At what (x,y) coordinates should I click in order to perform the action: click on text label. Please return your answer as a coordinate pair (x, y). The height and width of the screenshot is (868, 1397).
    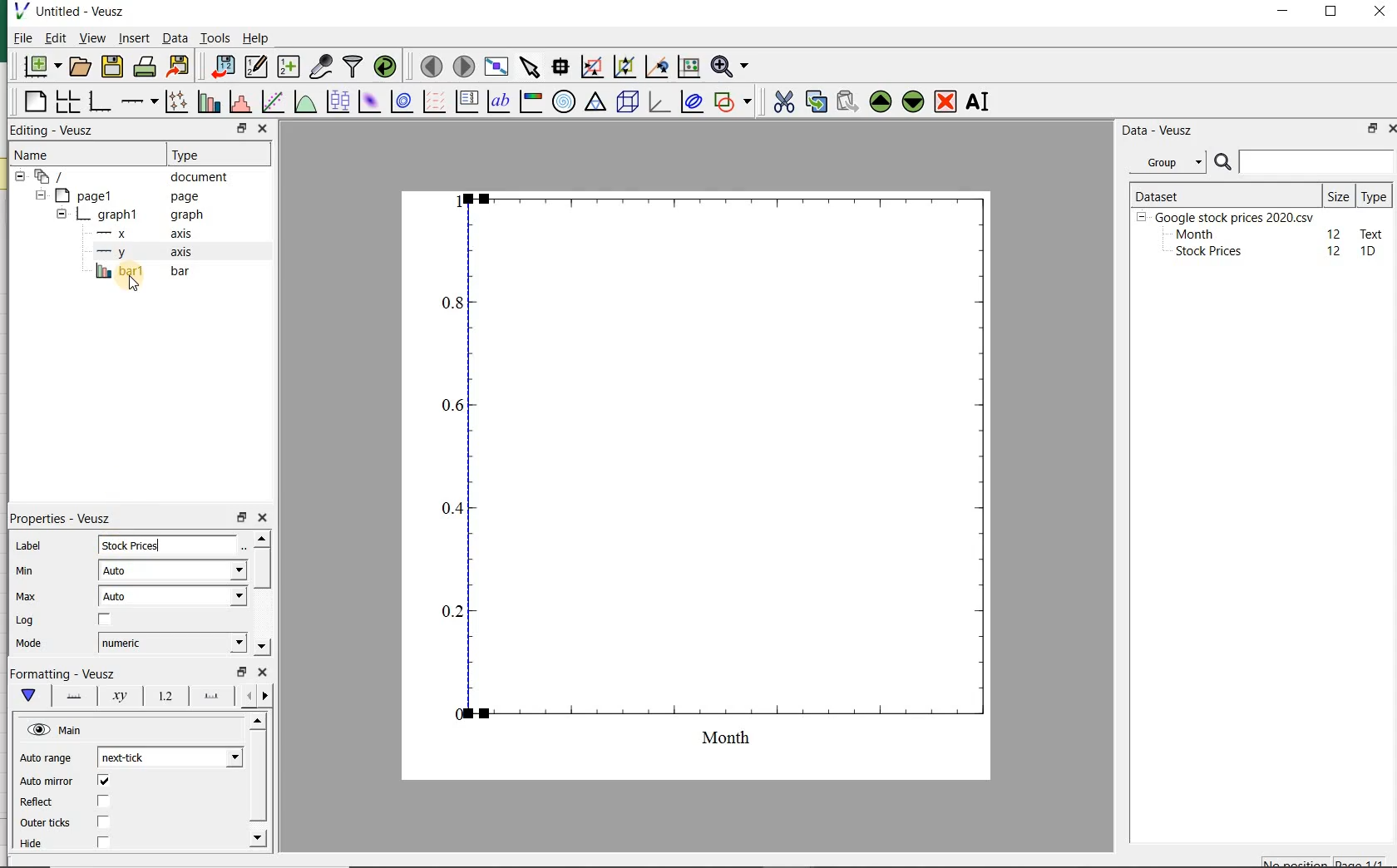
    Looking at the image, I should click on (498, 103).